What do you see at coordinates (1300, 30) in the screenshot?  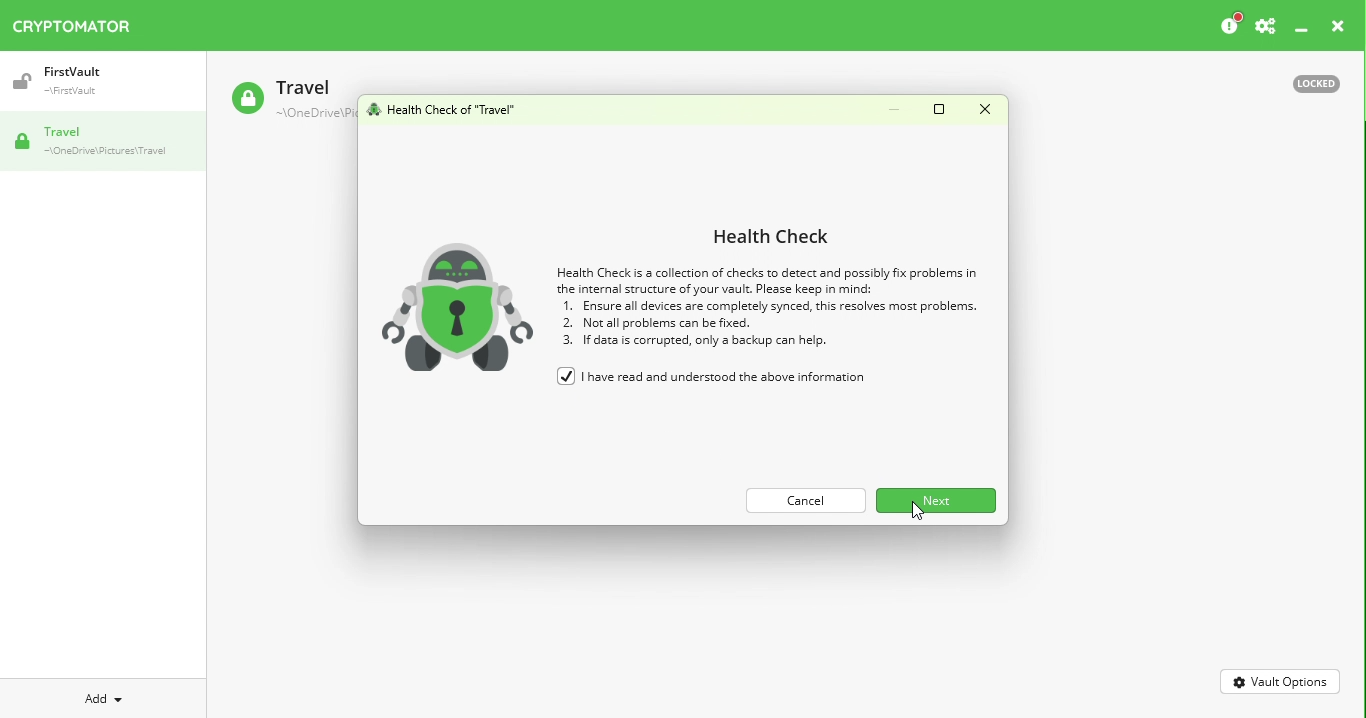 I see `Minimize` at bounding box center [1300, 30].